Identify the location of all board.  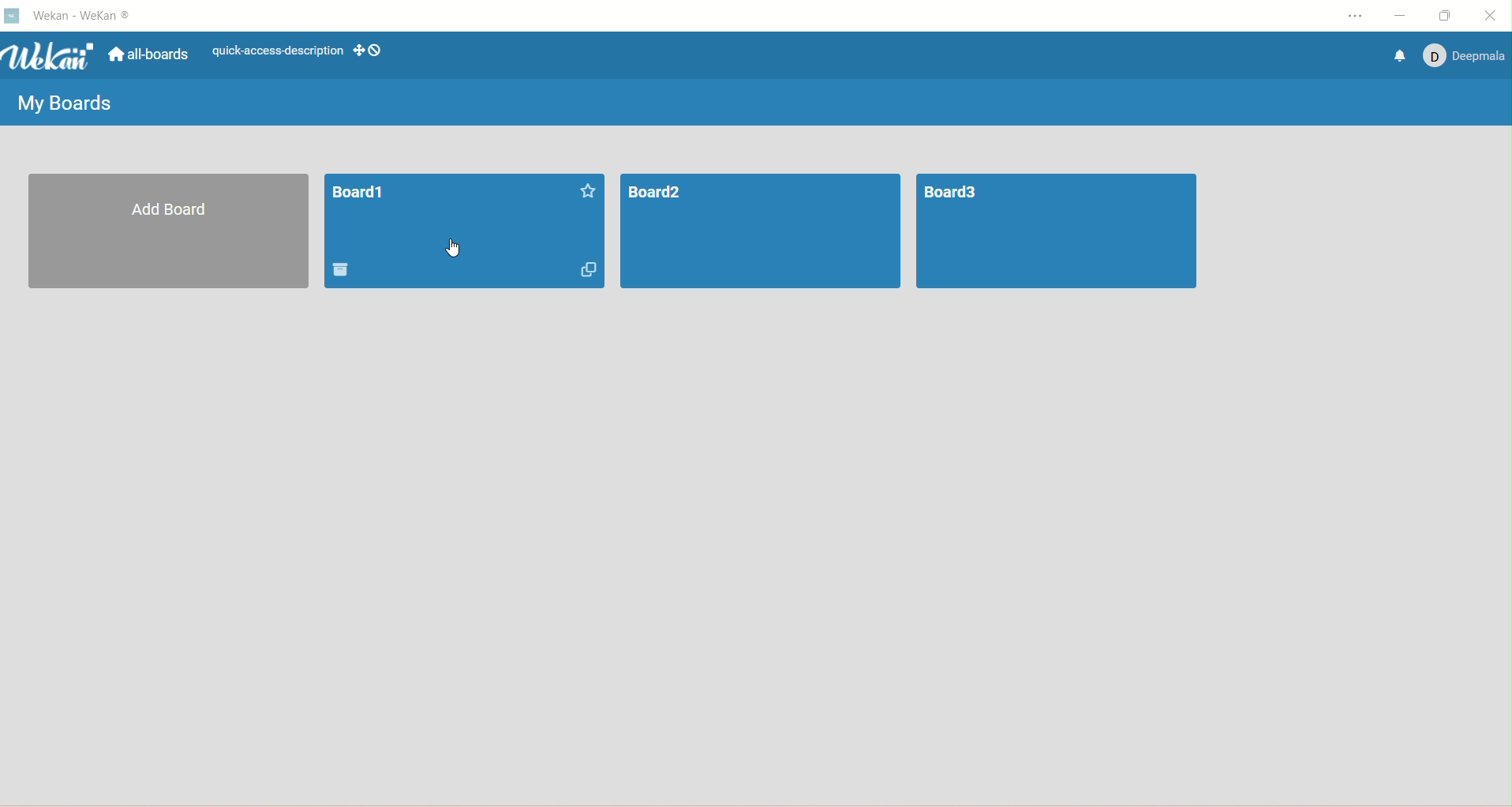
(171, 232).